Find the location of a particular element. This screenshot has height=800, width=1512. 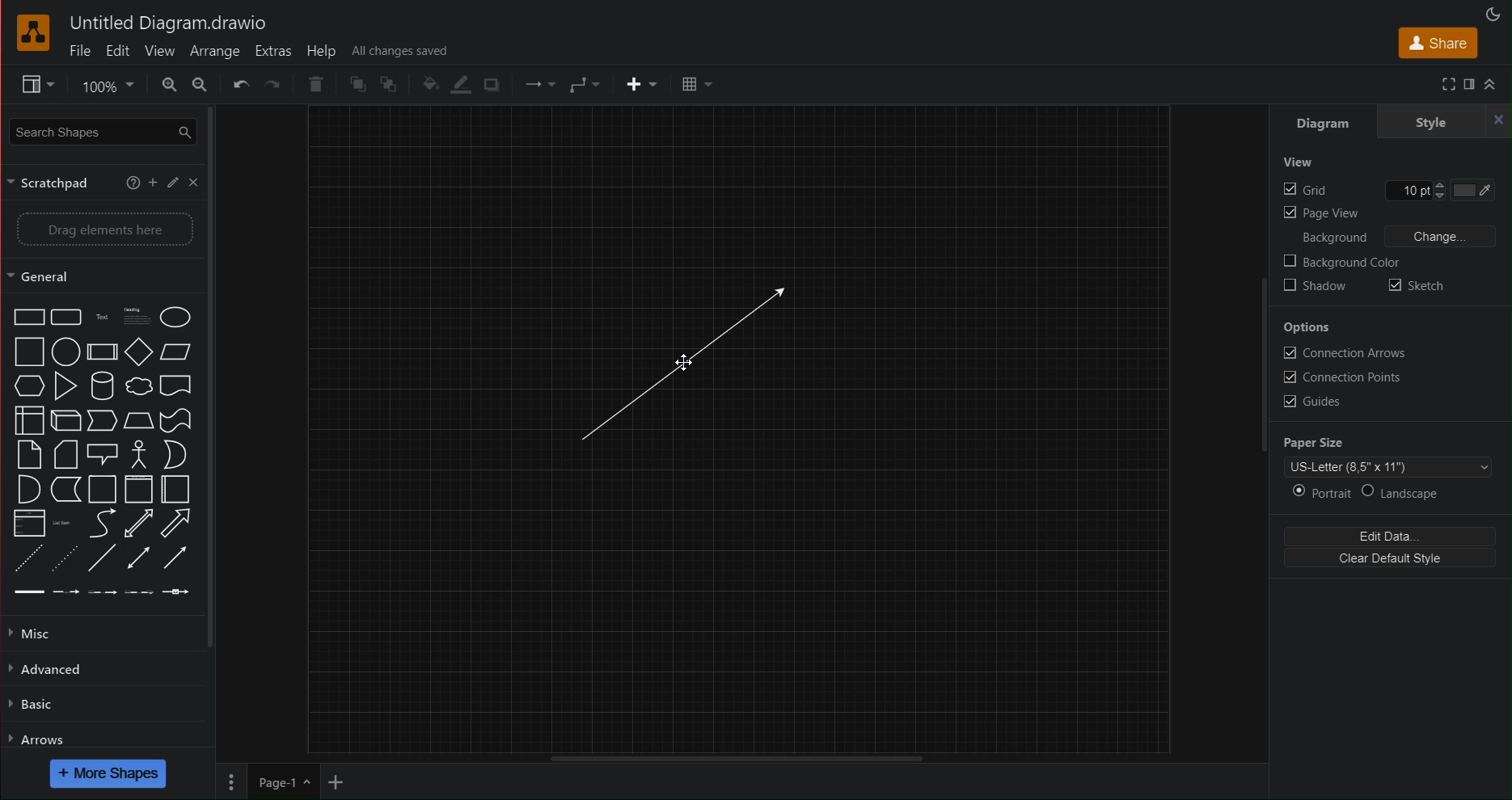

Undo is located at coordinates (241, 85).